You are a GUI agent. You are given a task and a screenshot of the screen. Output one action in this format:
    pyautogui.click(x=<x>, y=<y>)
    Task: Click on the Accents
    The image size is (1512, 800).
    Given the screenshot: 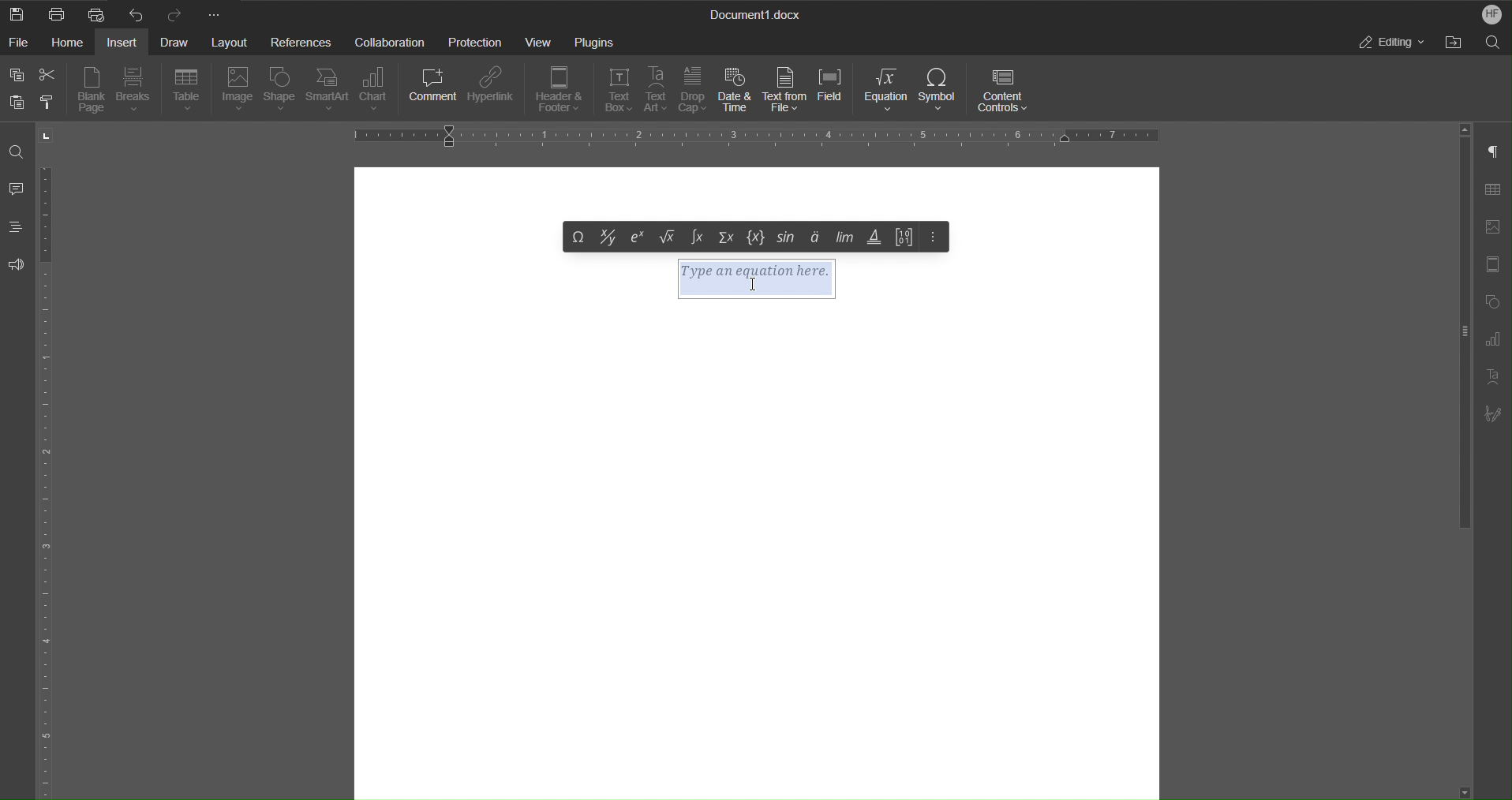 What is the action you would take?
    pyautogui.click(x=815, y=237)
    